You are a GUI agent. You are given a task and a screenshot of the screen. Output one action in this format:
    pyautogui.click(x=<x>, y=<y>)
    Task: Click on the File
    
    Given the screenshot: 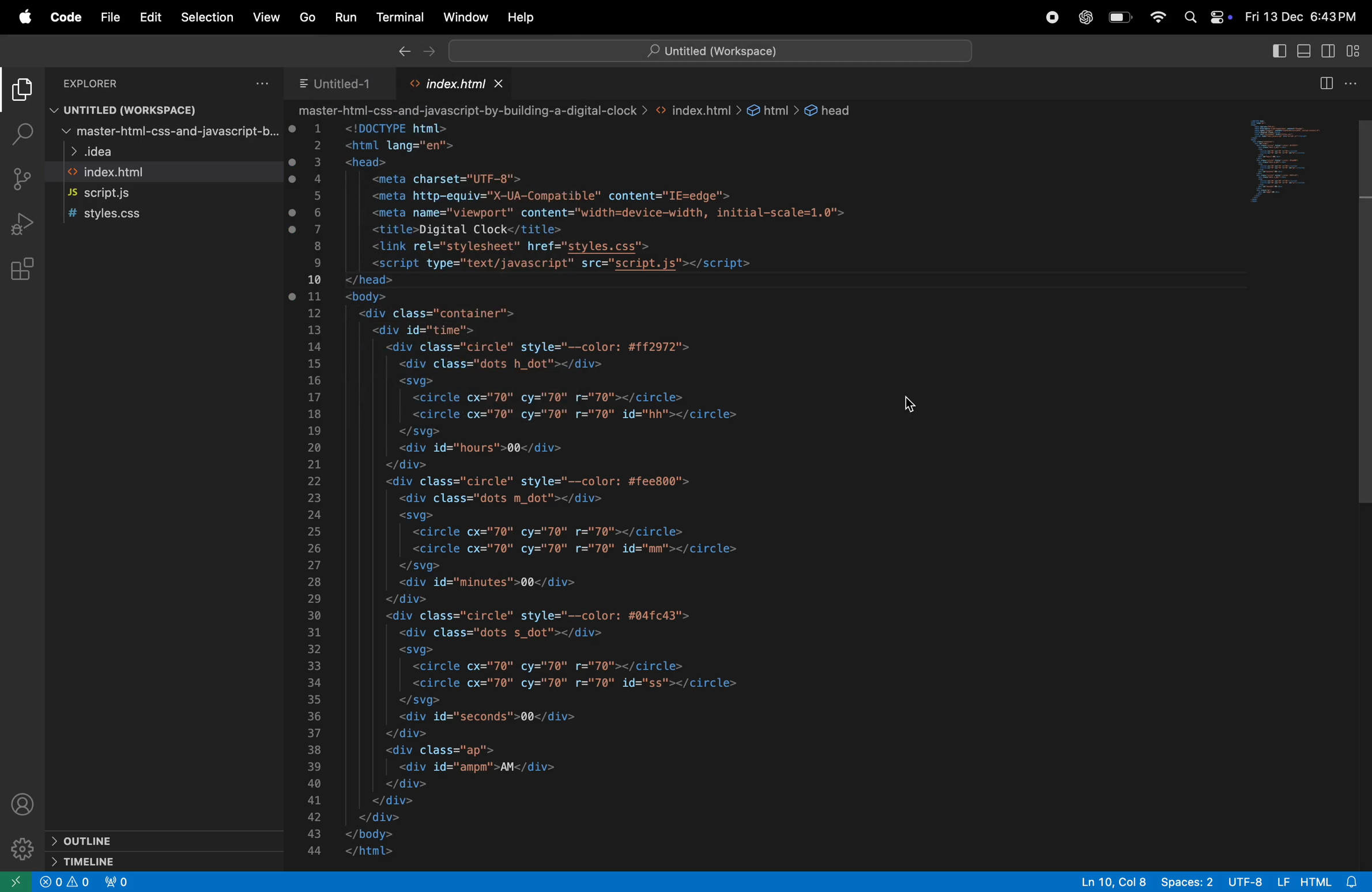 What is the action you would take?
    pyautogui.click(x=109, y=16)
    